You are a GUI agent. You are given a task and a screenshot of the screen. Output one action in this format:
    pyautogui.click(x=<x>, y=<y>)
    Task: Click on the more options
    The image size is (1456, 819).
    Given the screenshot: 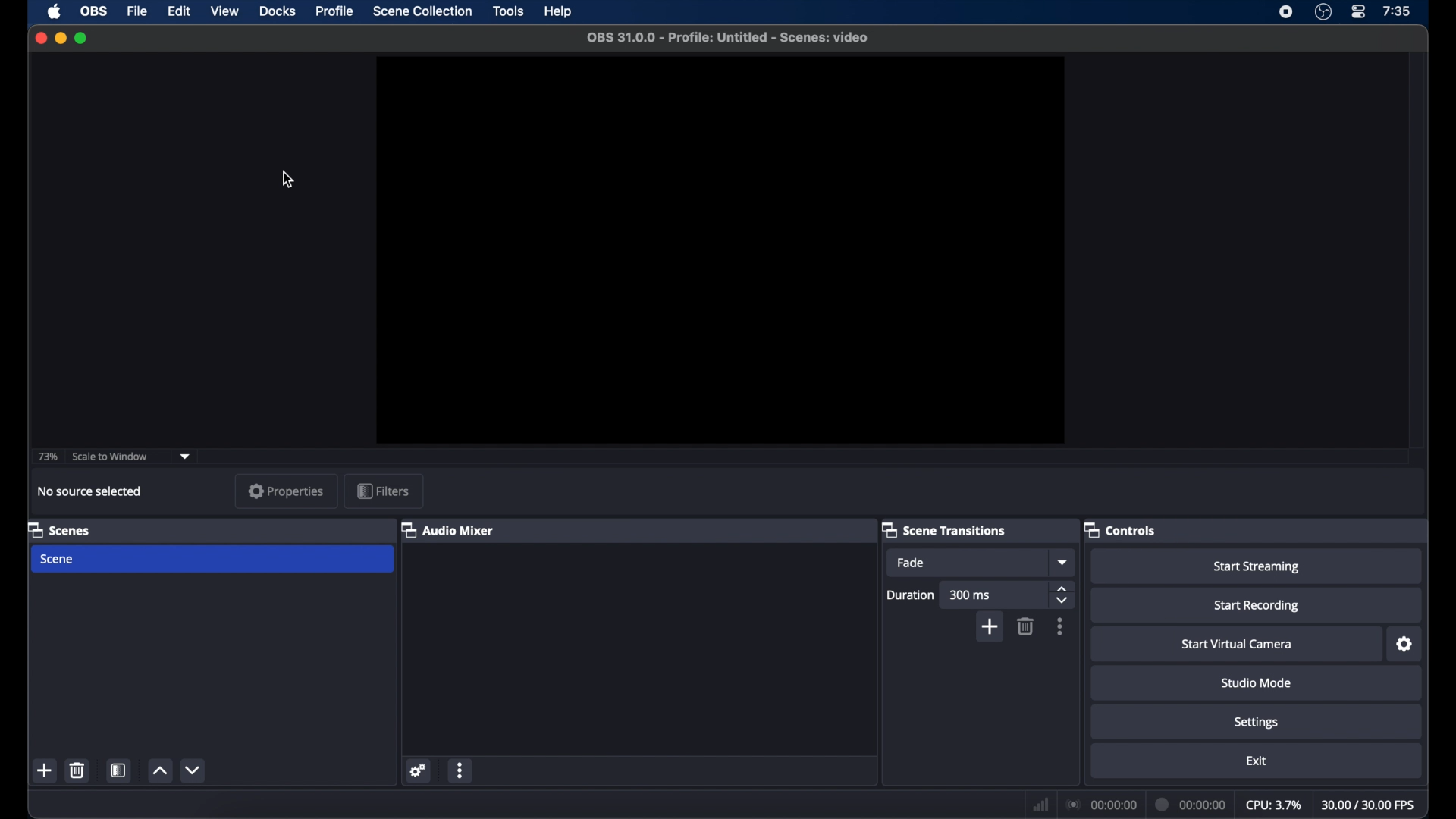 What is the action you would take?
    pyautogui.click(x=463, y=770)
    